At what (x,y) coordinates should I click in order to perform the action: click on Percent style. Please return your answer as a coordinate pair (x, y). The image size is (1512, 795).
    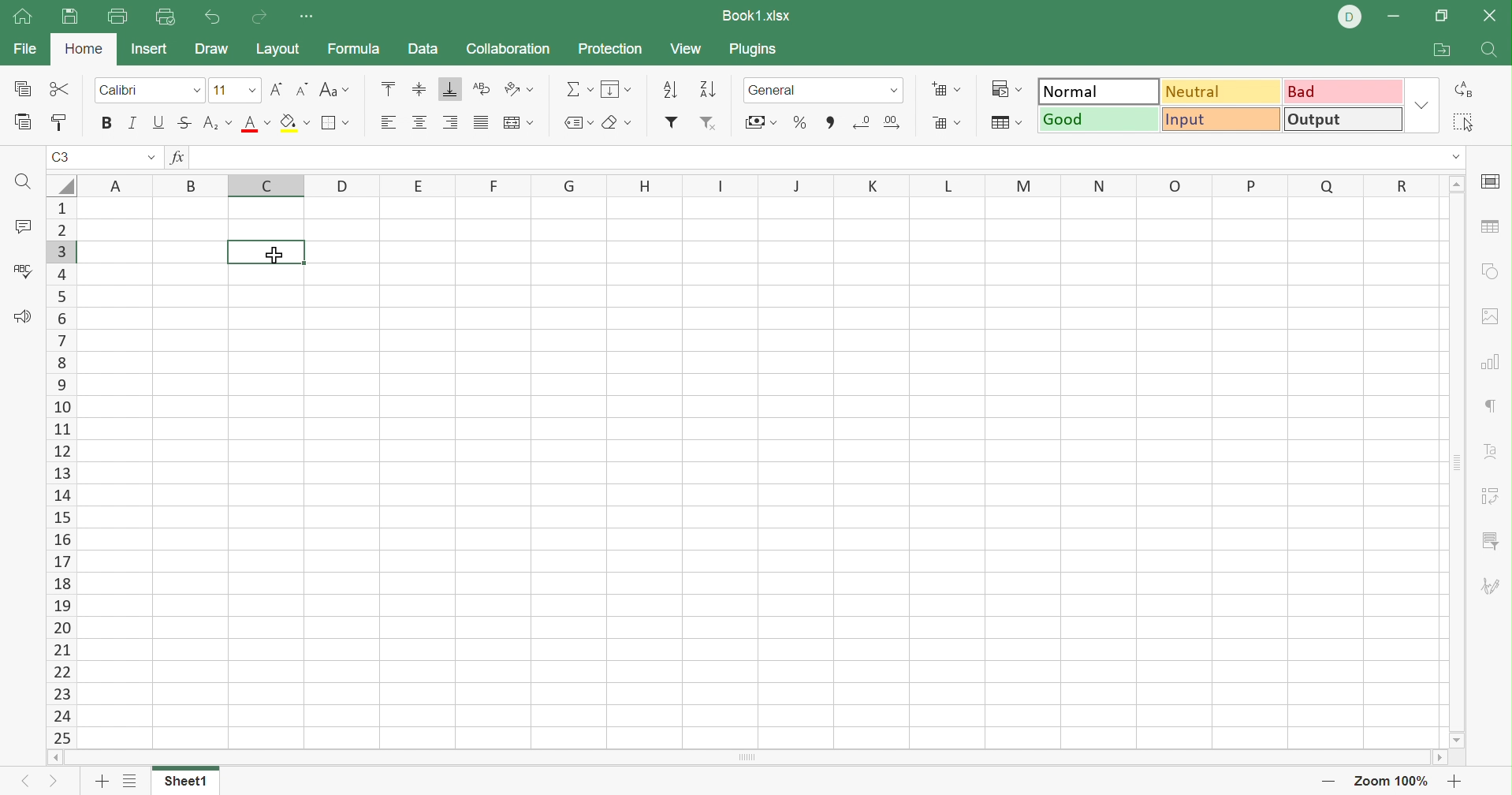
    Looking at the image, I should click on (798, 123).